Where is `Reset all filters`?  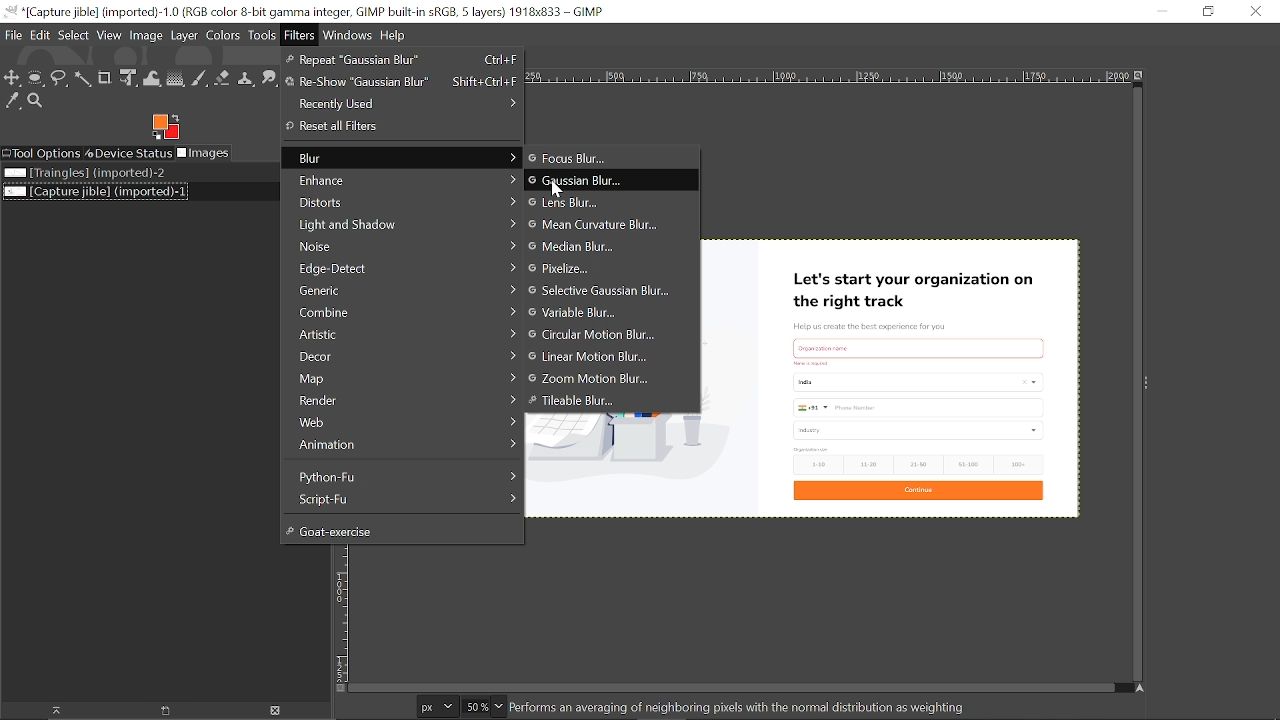 Reset all filters is located at coordinates (398, 126).